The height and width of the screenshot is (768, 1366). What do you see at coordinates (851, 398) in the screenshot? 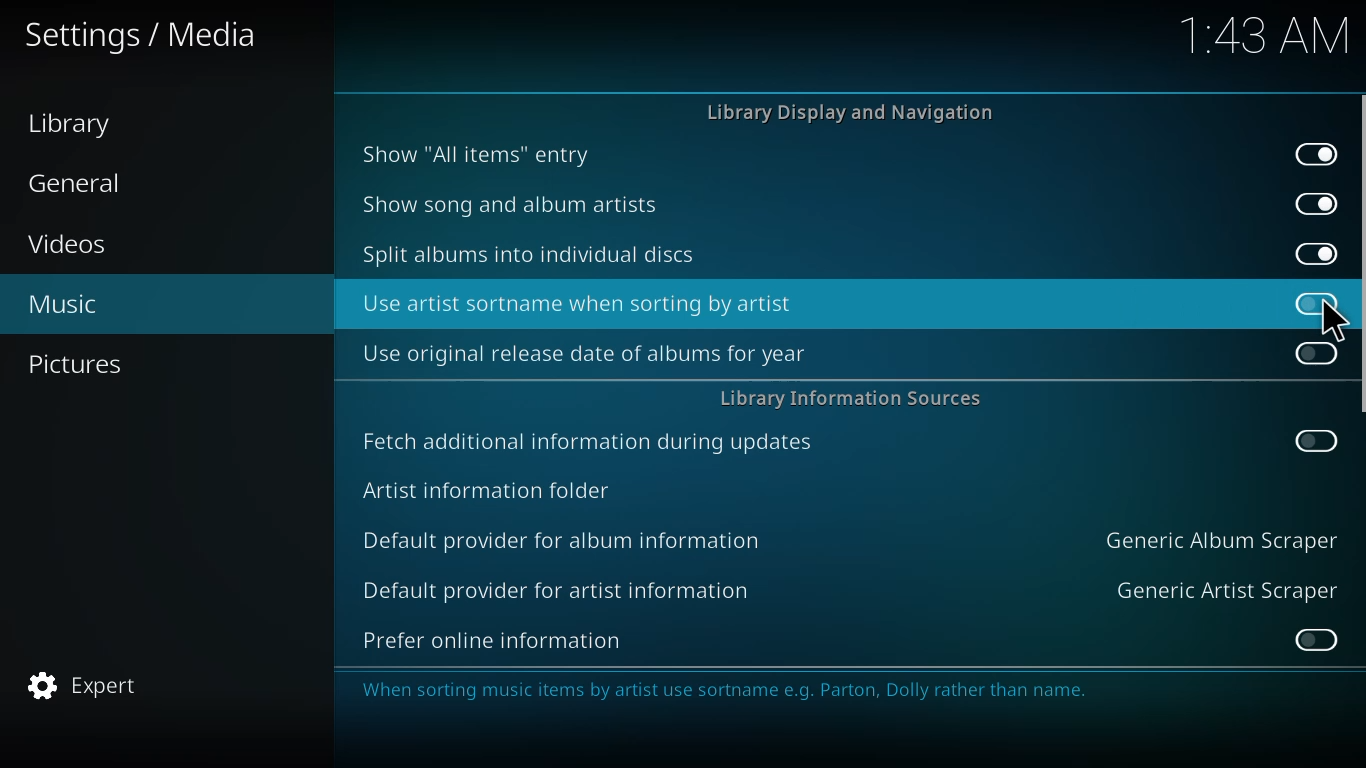
I see `library info` at bounding box center [851, 398].